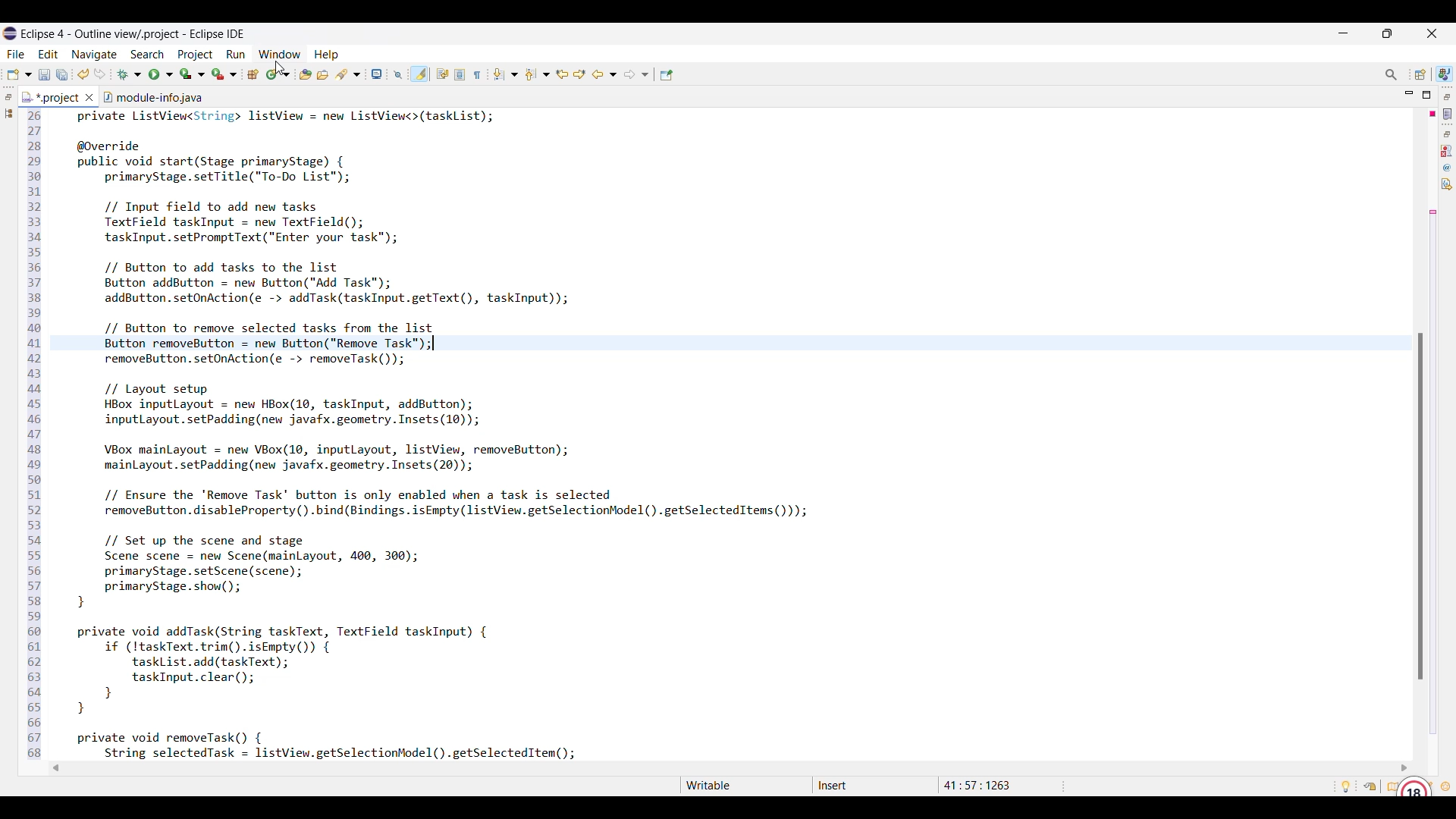 The height and width of the screenshot is (819, 1456). Describe the element at coordinates (442, 74) in the screenshot. I see `Toggle word wrap` at that location.